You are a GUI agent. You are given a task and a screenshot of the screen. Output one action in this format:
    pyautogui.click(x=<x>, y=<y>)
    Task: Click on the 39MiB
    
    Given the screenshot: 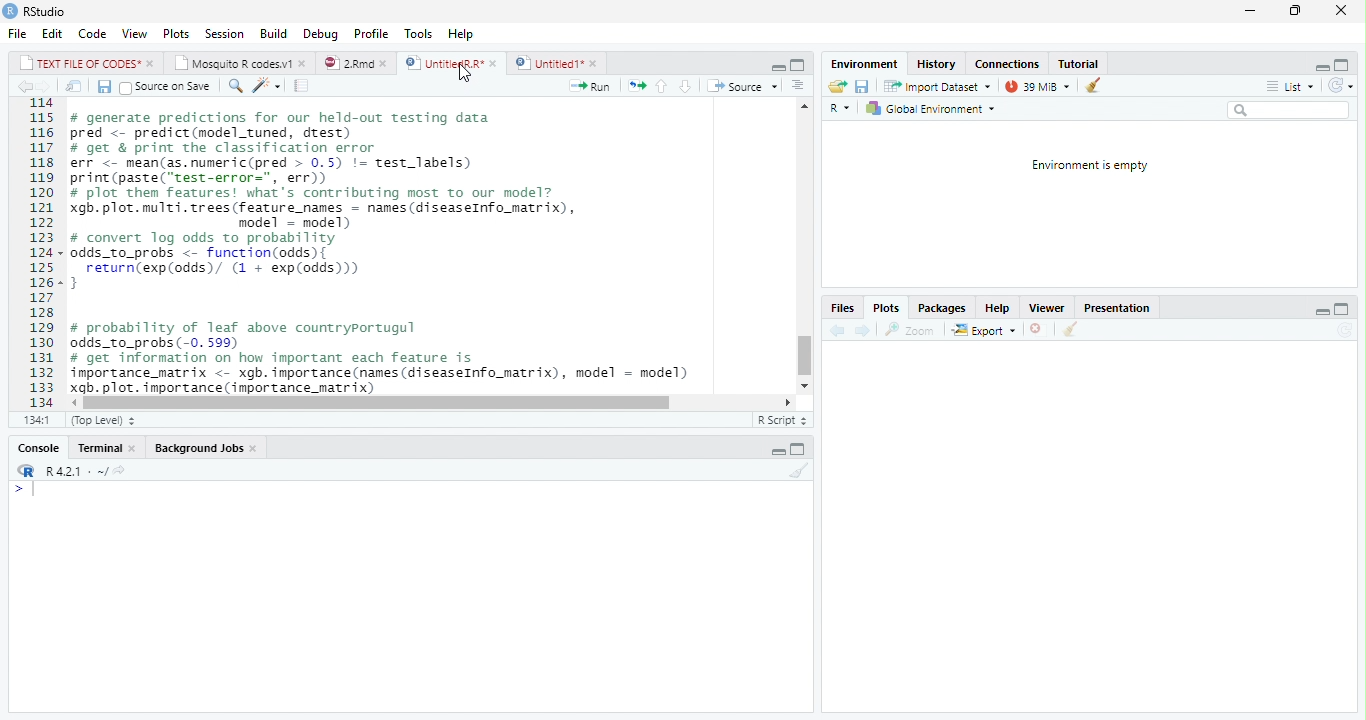 What is the action you would take?
    pyautogui.click(x=1037, y=84)
    